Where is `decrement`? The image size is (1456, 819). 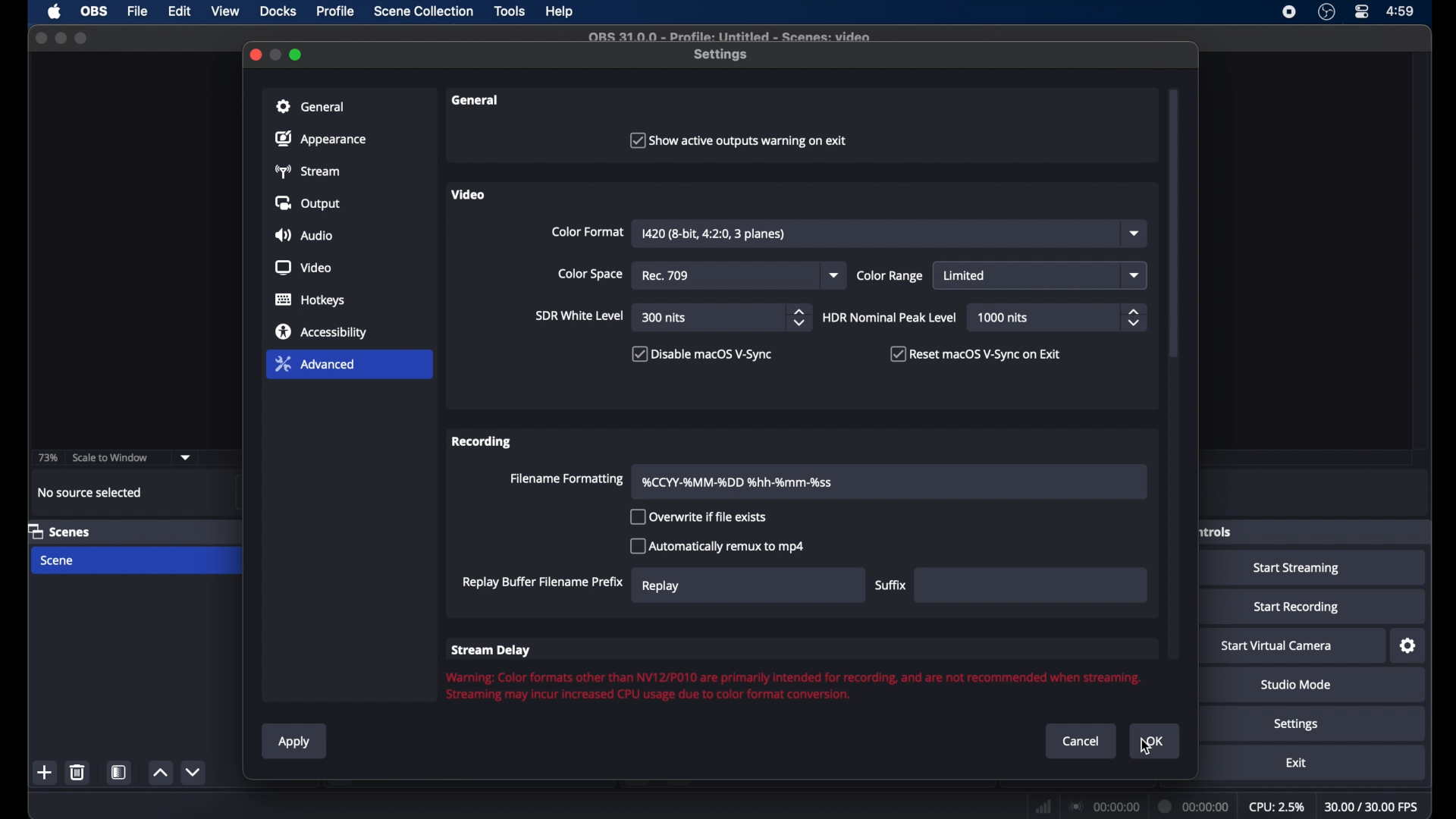 decrement is located at coordinates (194, 772).